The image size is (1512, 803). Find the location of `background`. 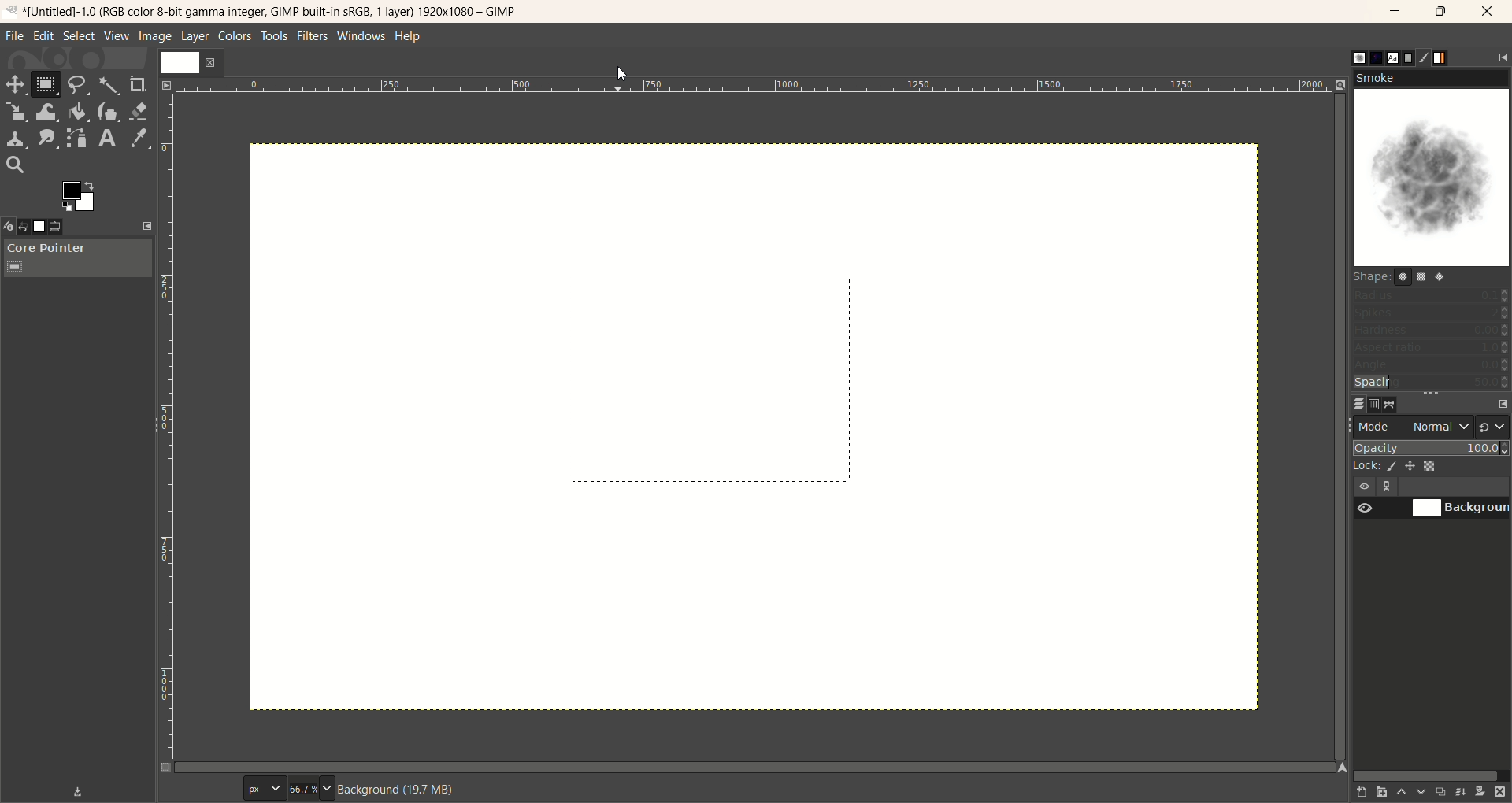

background is located at coordinates (399, 790).